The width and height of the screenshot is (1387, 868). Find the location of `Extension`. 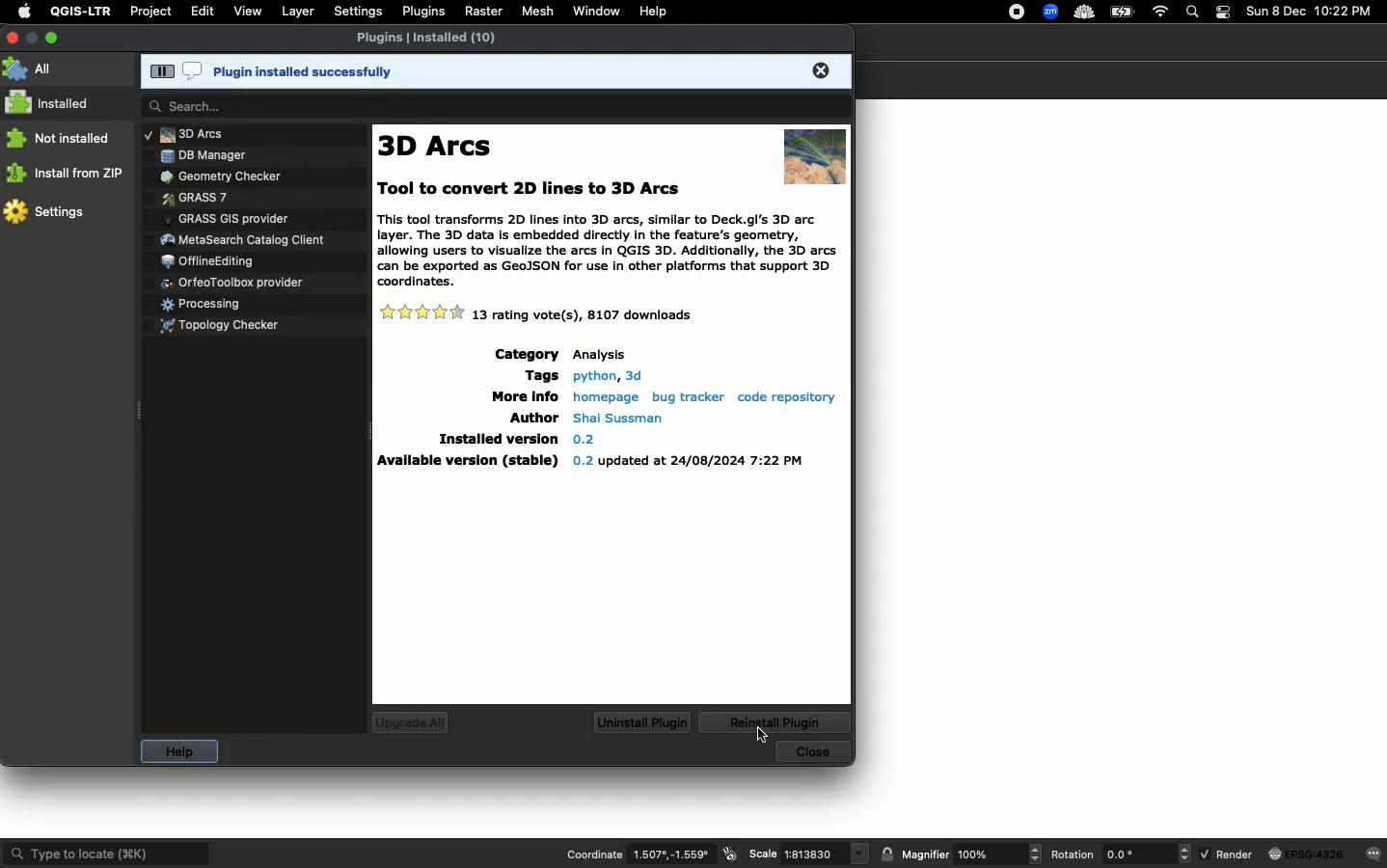

Extension is located at coordinates (1048, 12).